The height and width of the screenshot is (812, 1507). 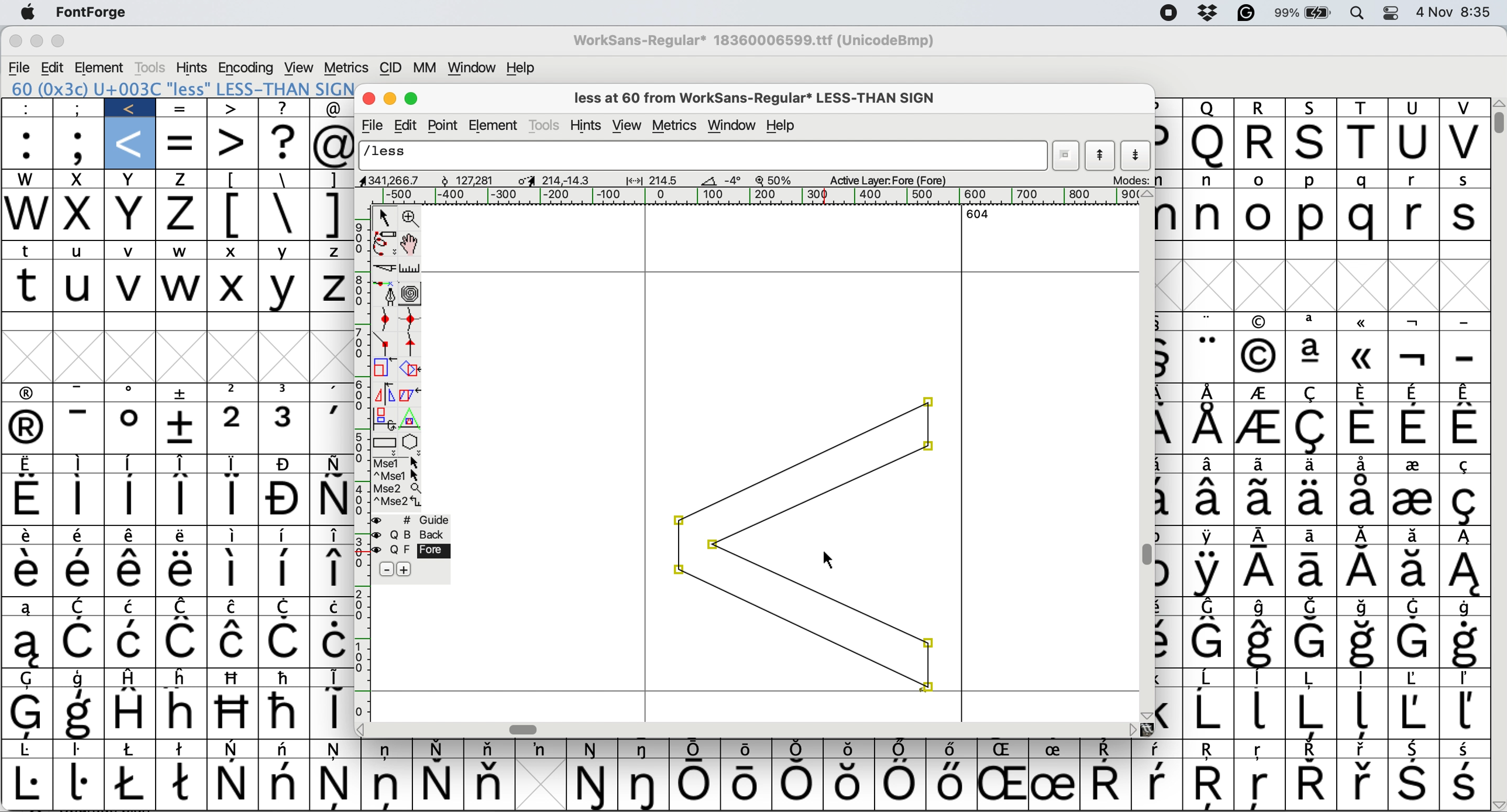 I want to click on Symbol, so click(x=131, y=463).